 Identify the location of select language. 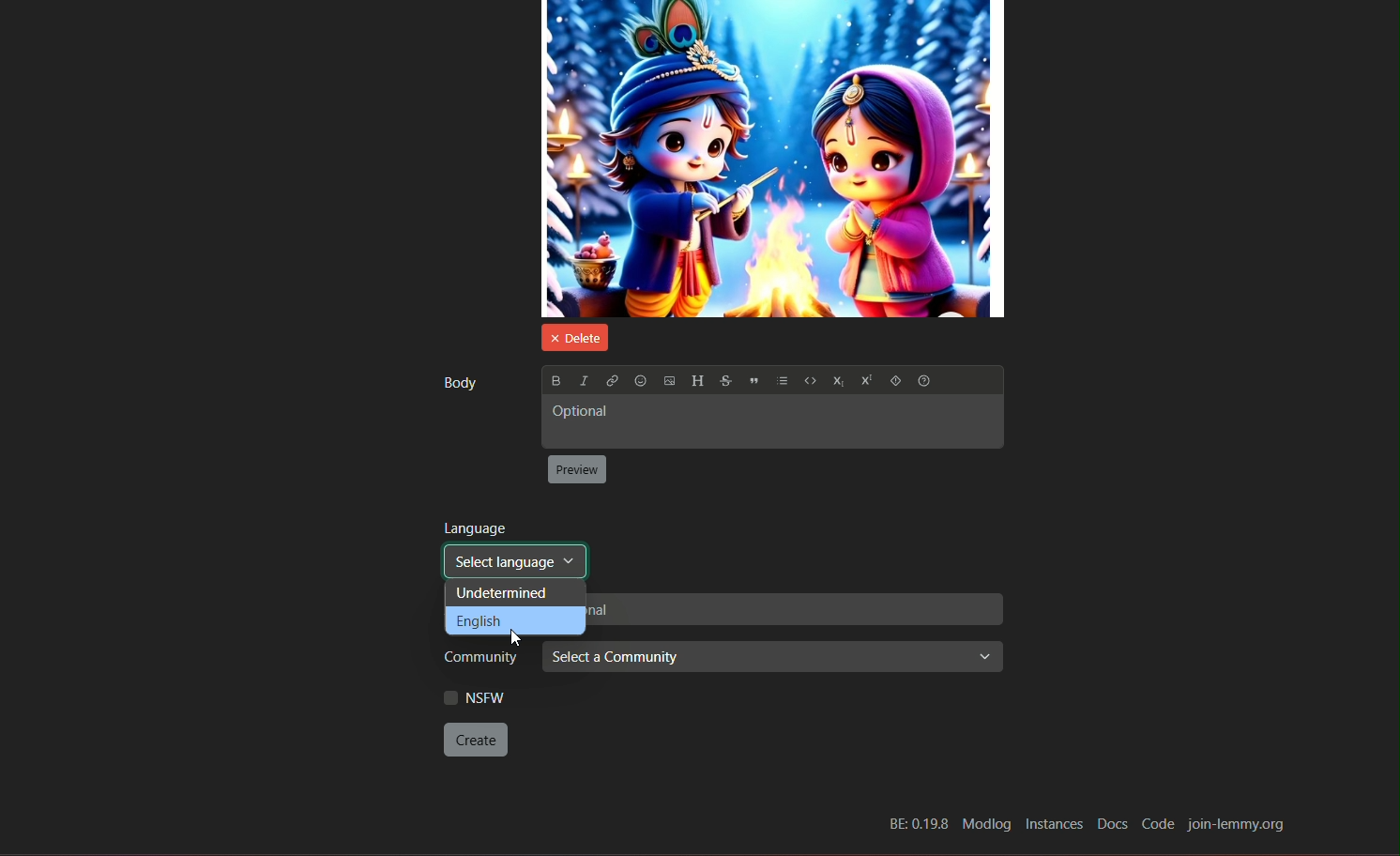
(514, 561).